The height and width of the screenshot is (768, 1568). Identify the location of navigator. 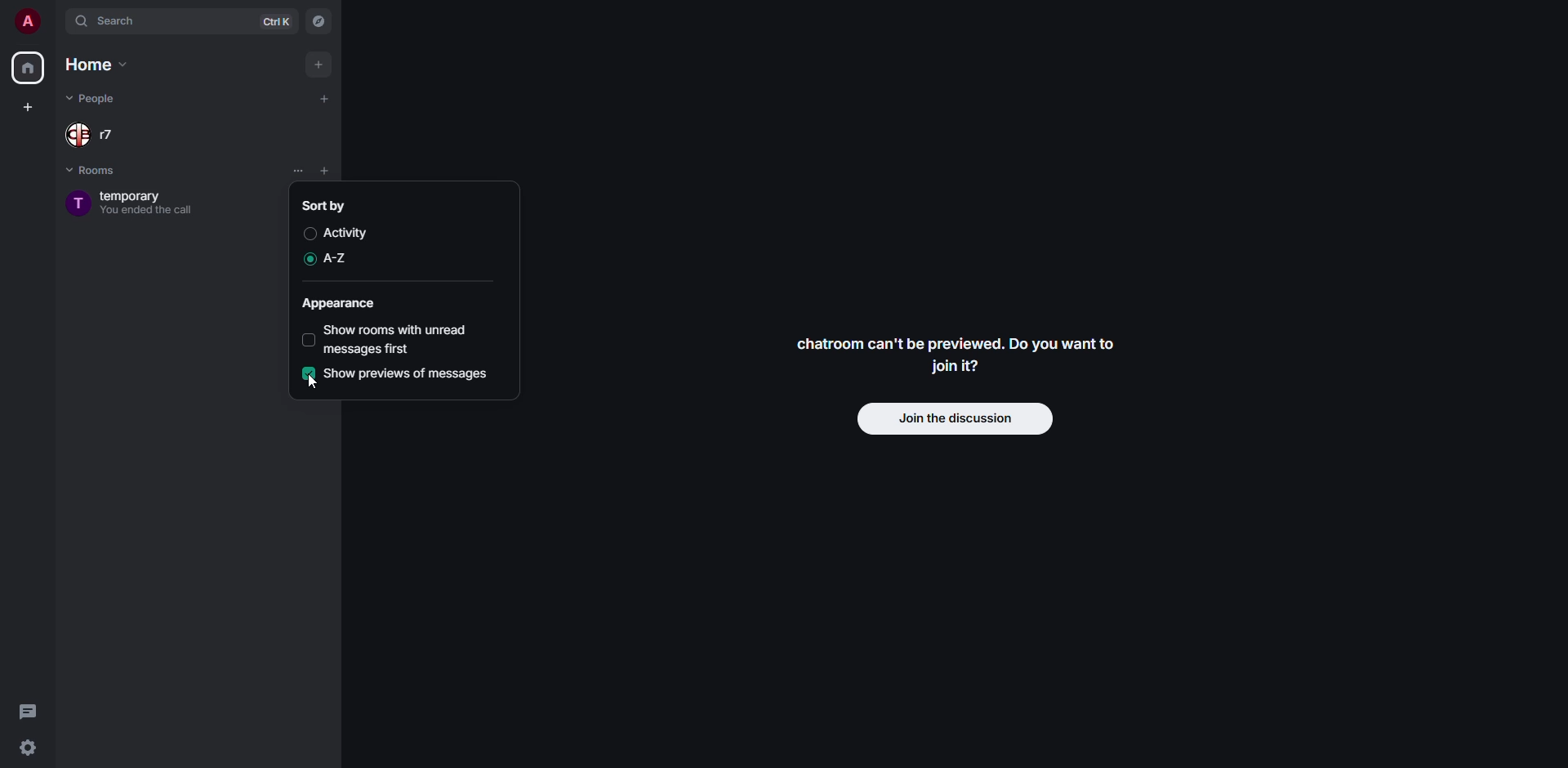
(318, 21).